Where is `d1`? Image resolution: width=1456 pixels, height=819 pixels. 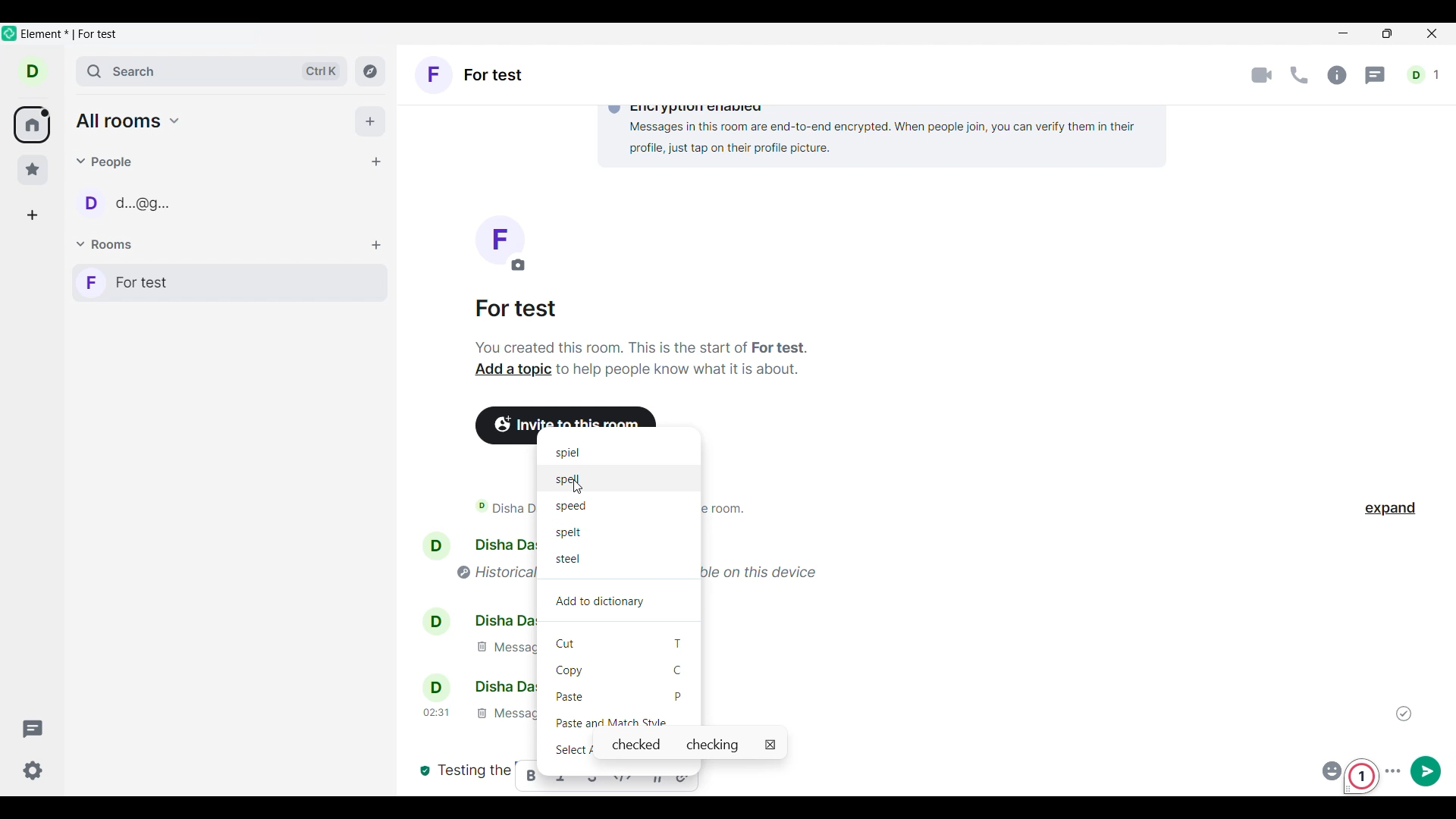
d1 is located at coordinates (1425, 75).